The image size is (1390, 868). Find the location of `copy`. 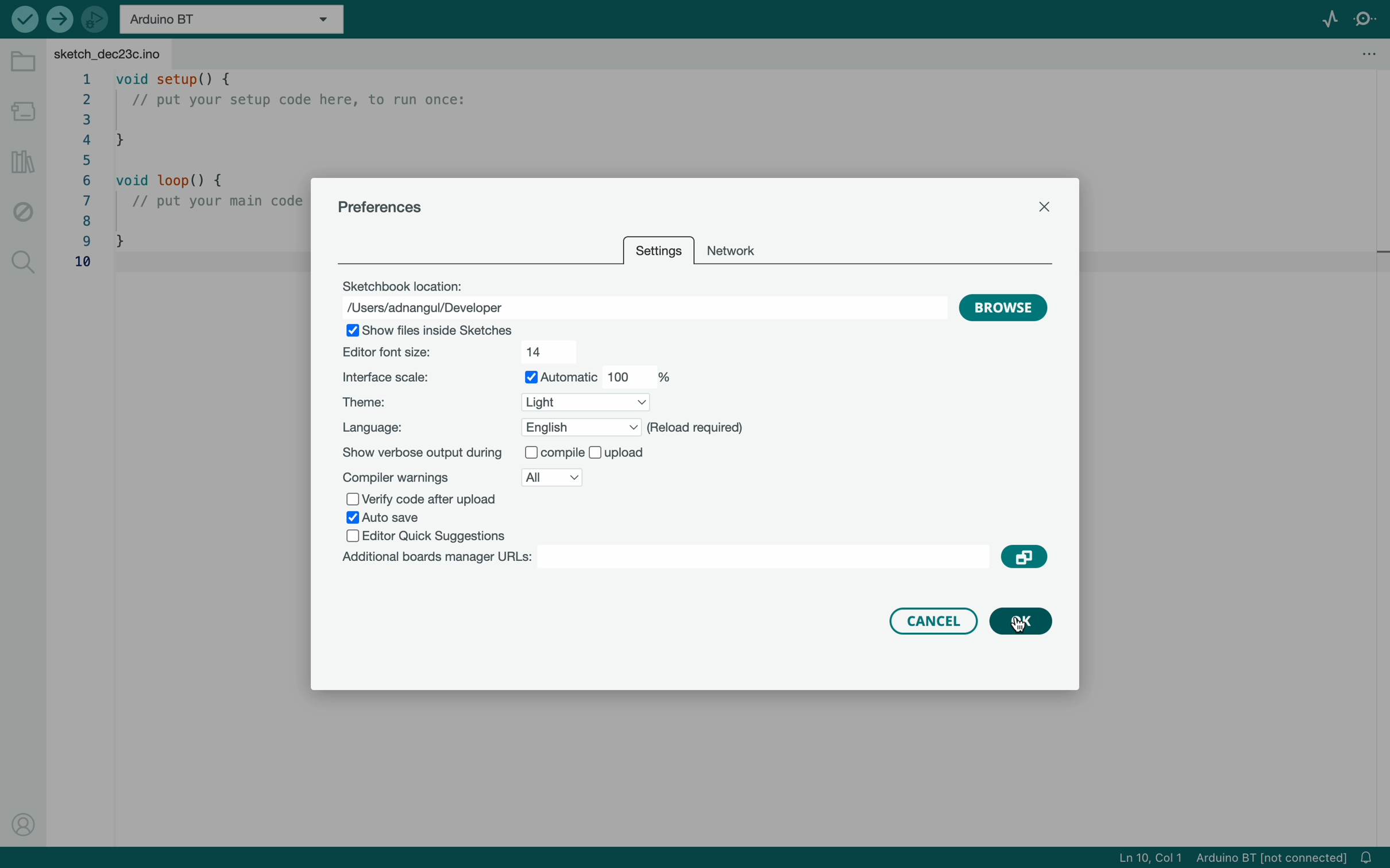

copy is located at coordinates (1025, 557).